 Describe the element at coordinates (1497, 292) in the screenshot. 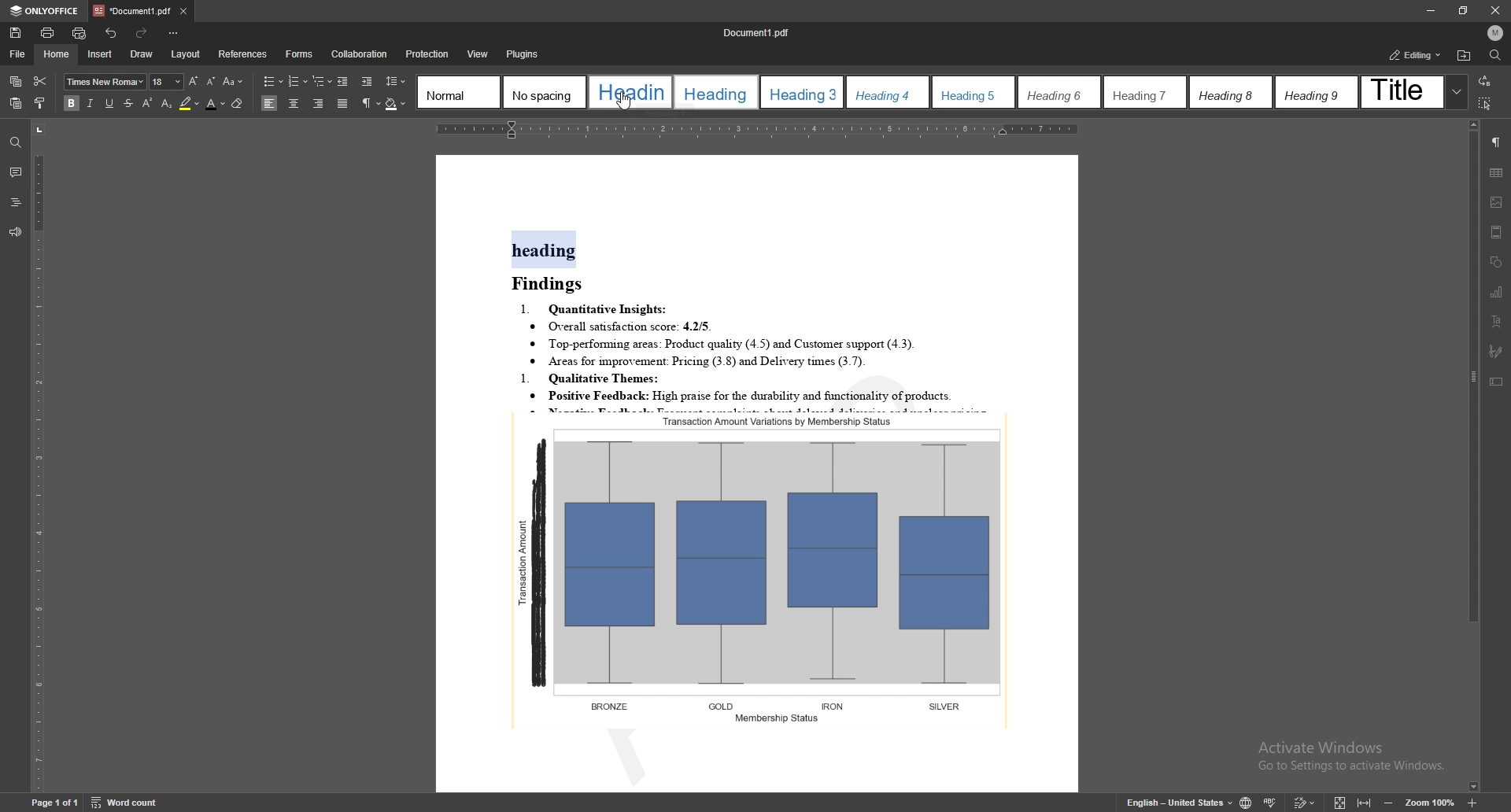

I see `chart` at that location.